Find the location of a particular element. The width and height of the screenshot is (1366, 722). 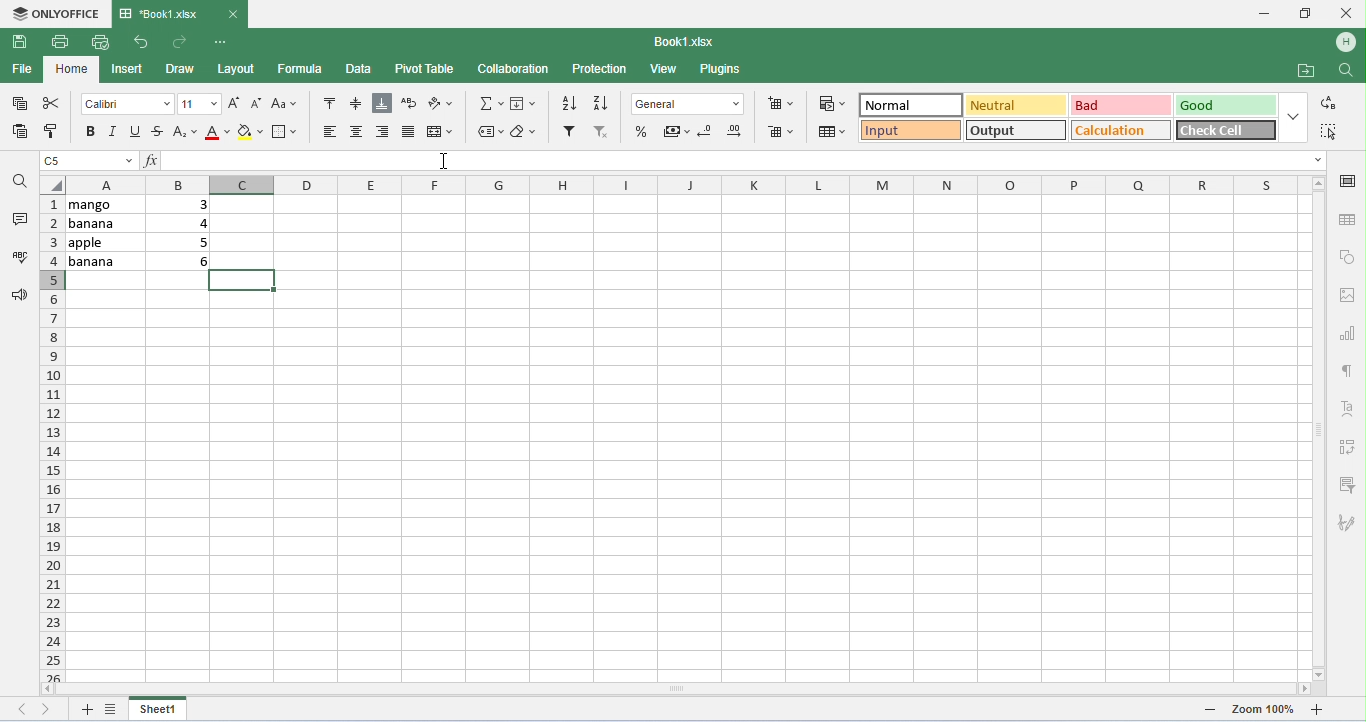

close is located at coordinates (1346, 13).